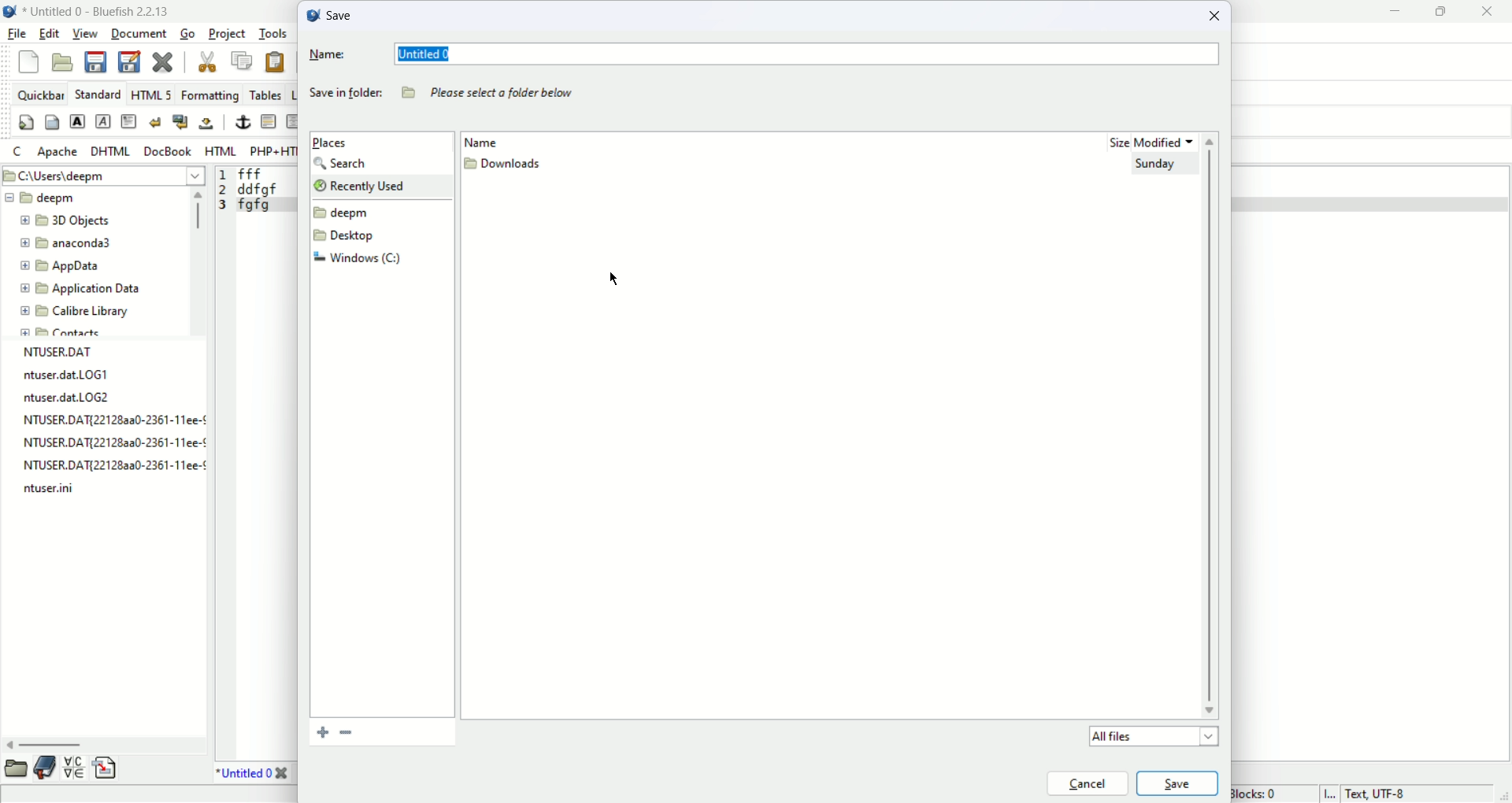 Image resolution: width=1512 pixels, height=803 pixels. I want to click on deepm, so click(343, 213).